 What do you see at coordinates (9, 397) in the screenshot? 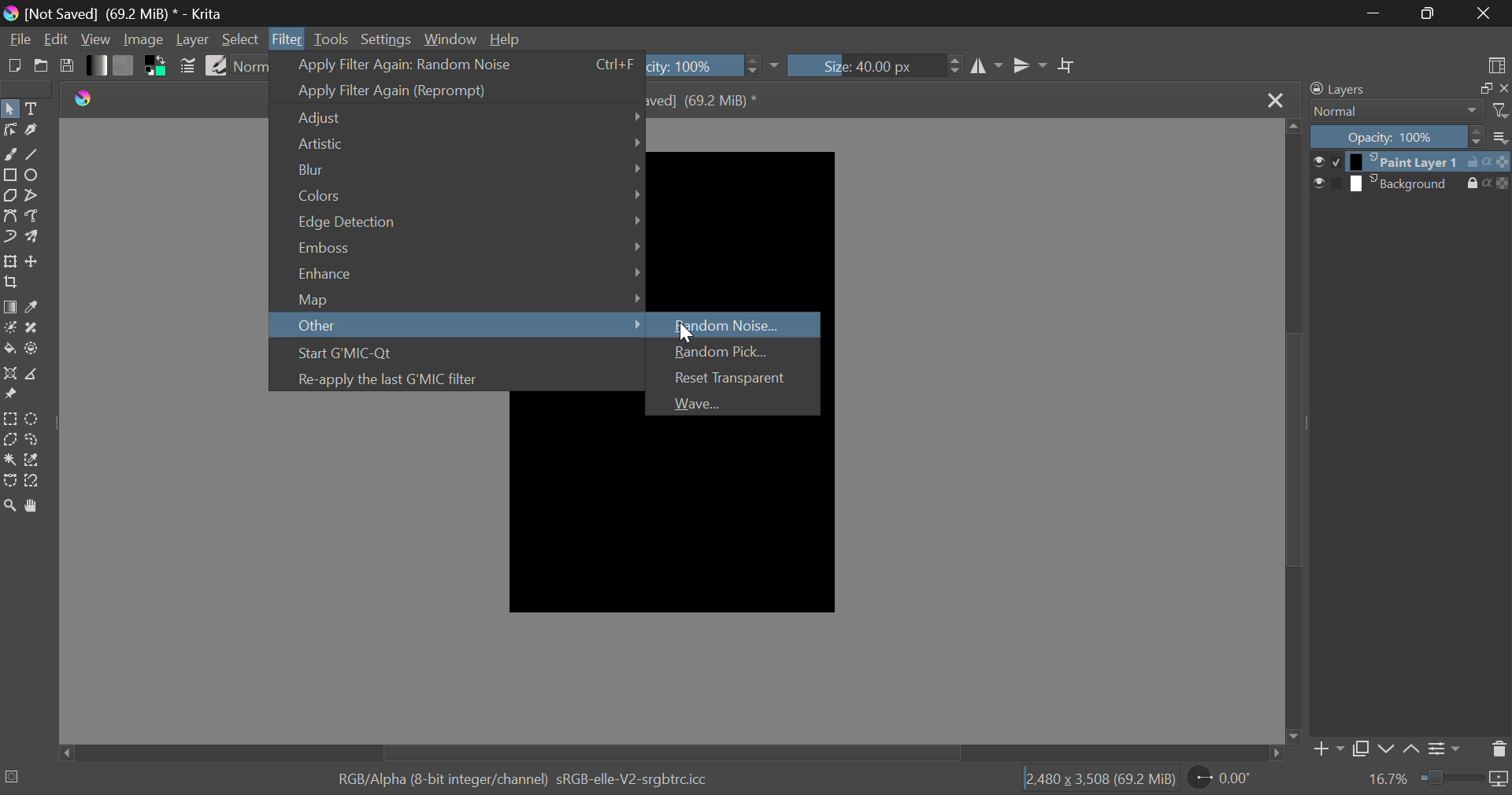
I see `Reference Images` at bounding box center [9, 397].